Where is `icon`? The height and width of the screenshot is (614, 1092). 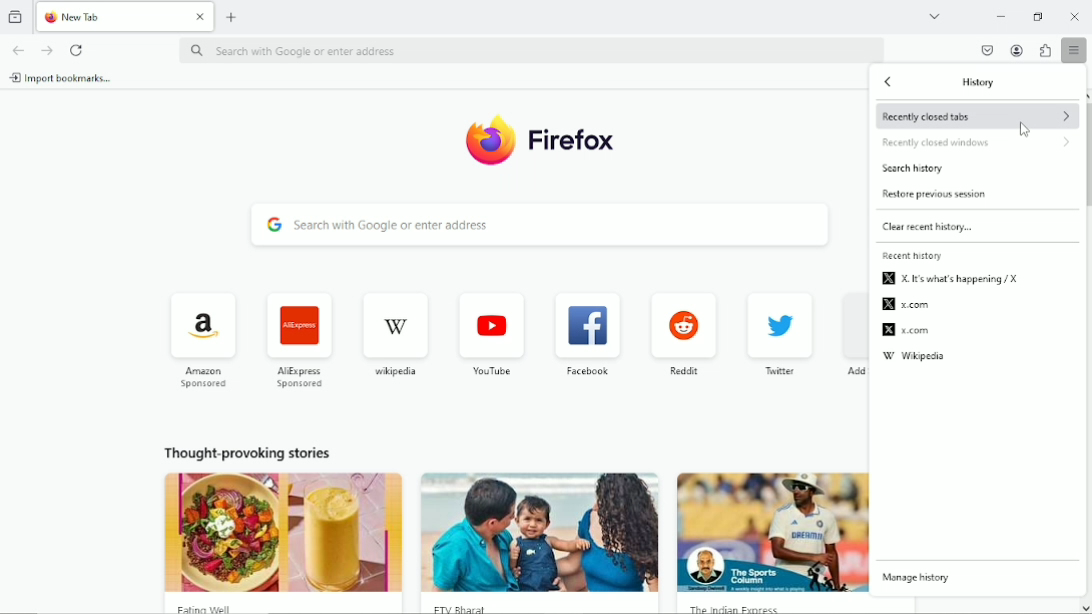 icon is located at coordinates (488, 140).